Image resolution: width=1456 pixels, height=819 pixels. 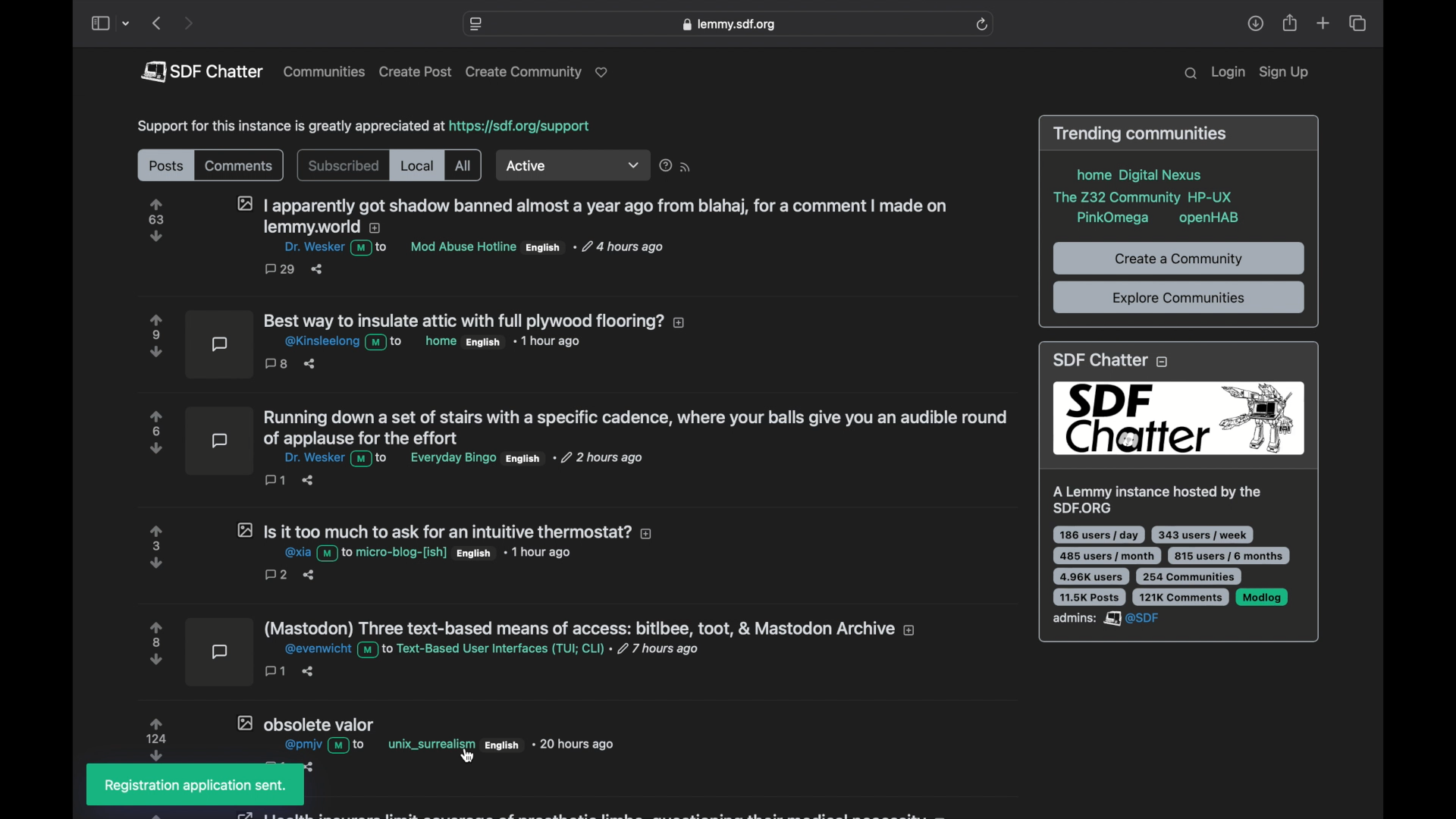 What do you see at coordinates (1291, 24) in the screenshot?
I see `share` at bounding box center [1291, 24].